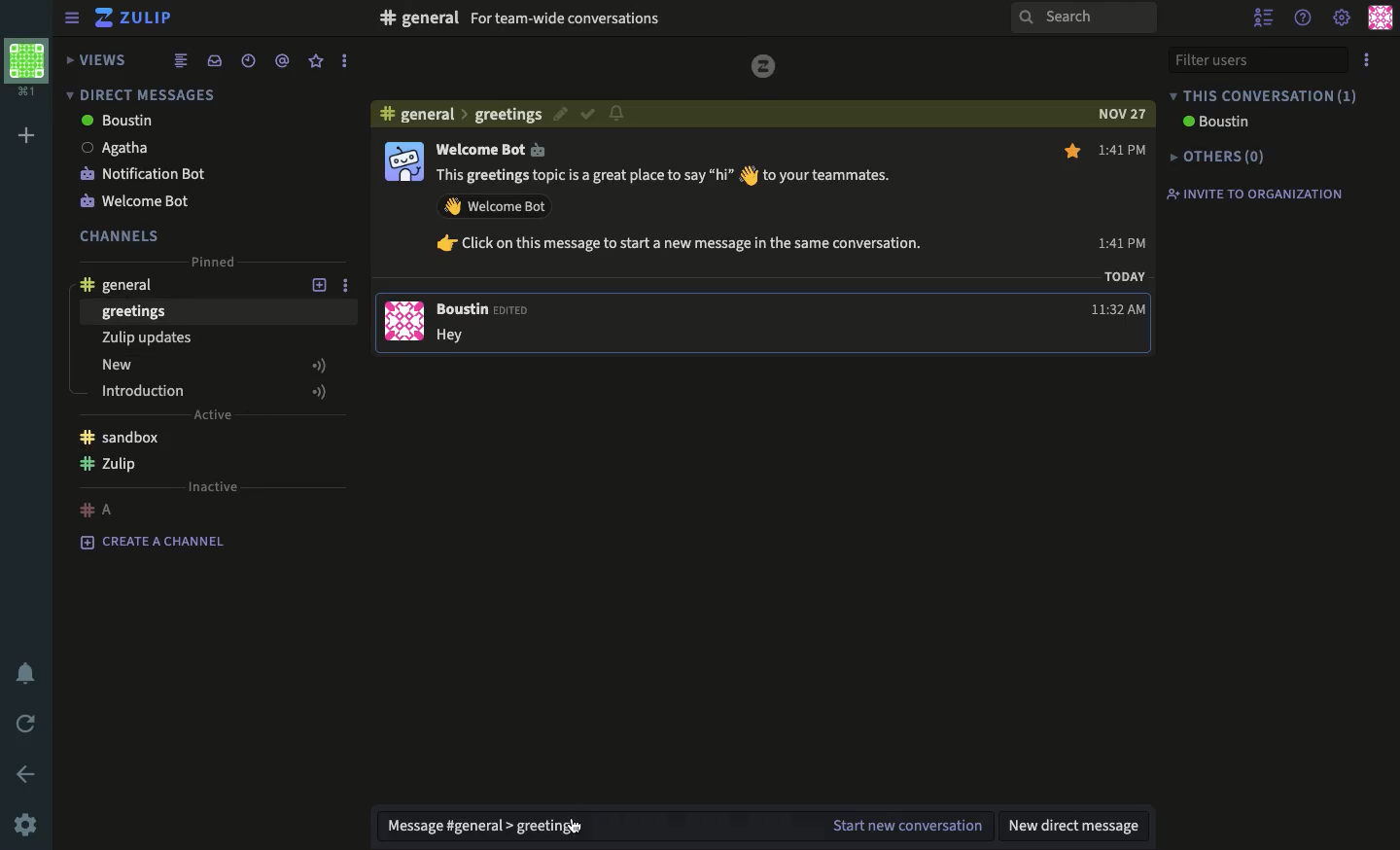  I want to click on cursor, so click(577, 822).